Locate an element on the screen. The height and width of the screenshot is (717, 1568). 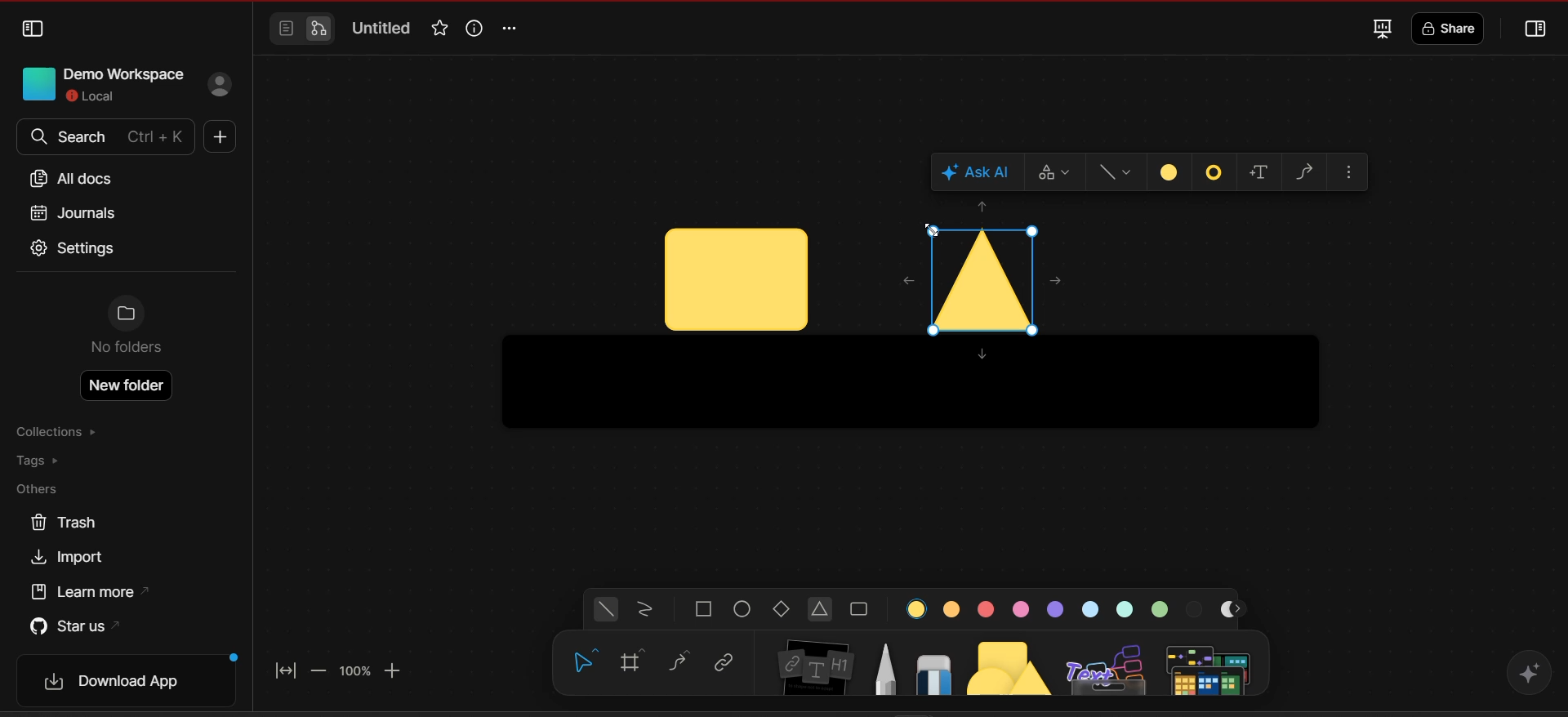
triangle is located at coordinates (822, 611).